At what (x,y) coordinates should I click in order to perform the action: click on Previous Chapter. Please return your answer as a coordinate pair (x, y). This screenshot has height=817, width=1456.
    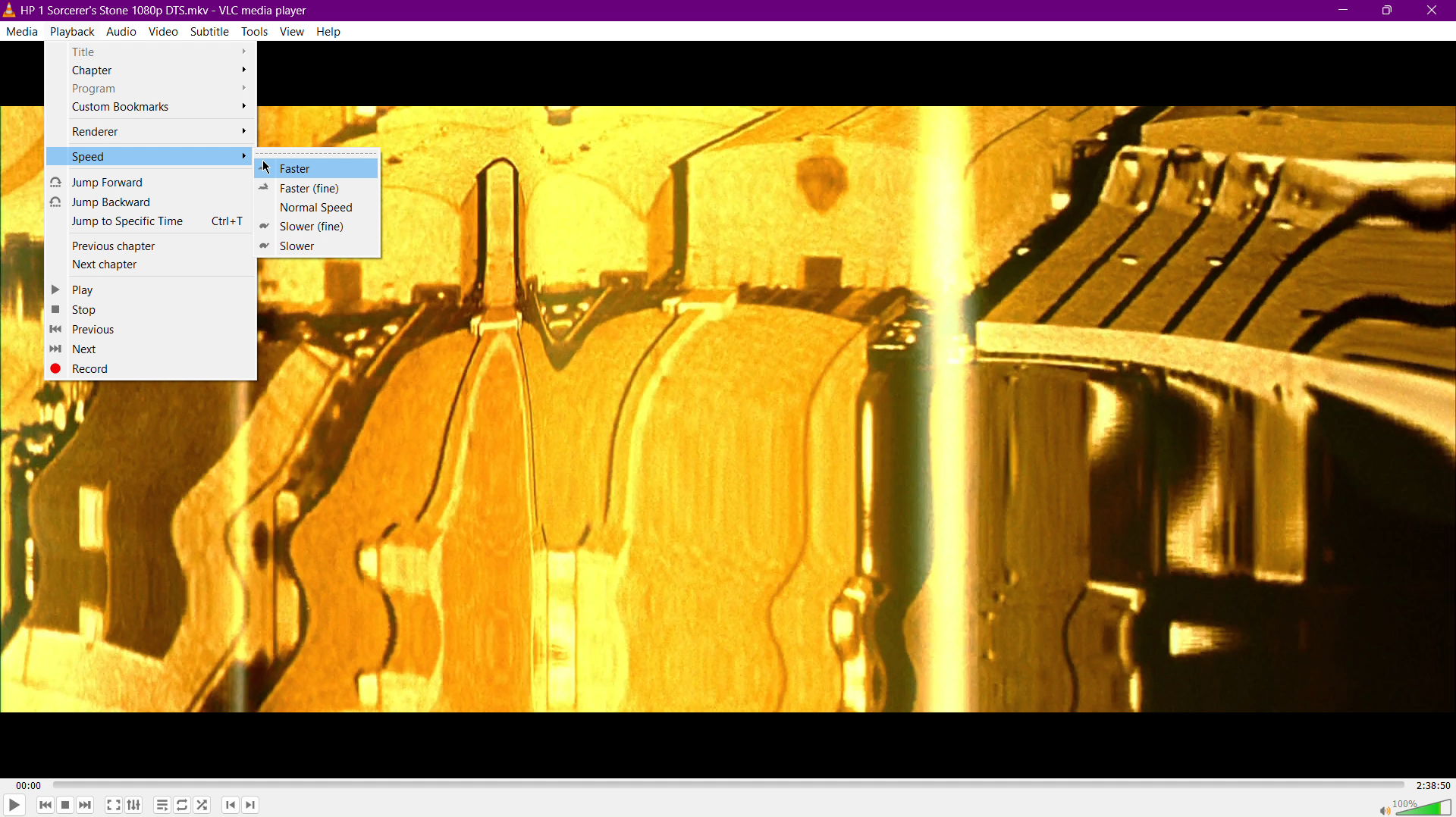
    Looking at the image, I should click on (230, 806).